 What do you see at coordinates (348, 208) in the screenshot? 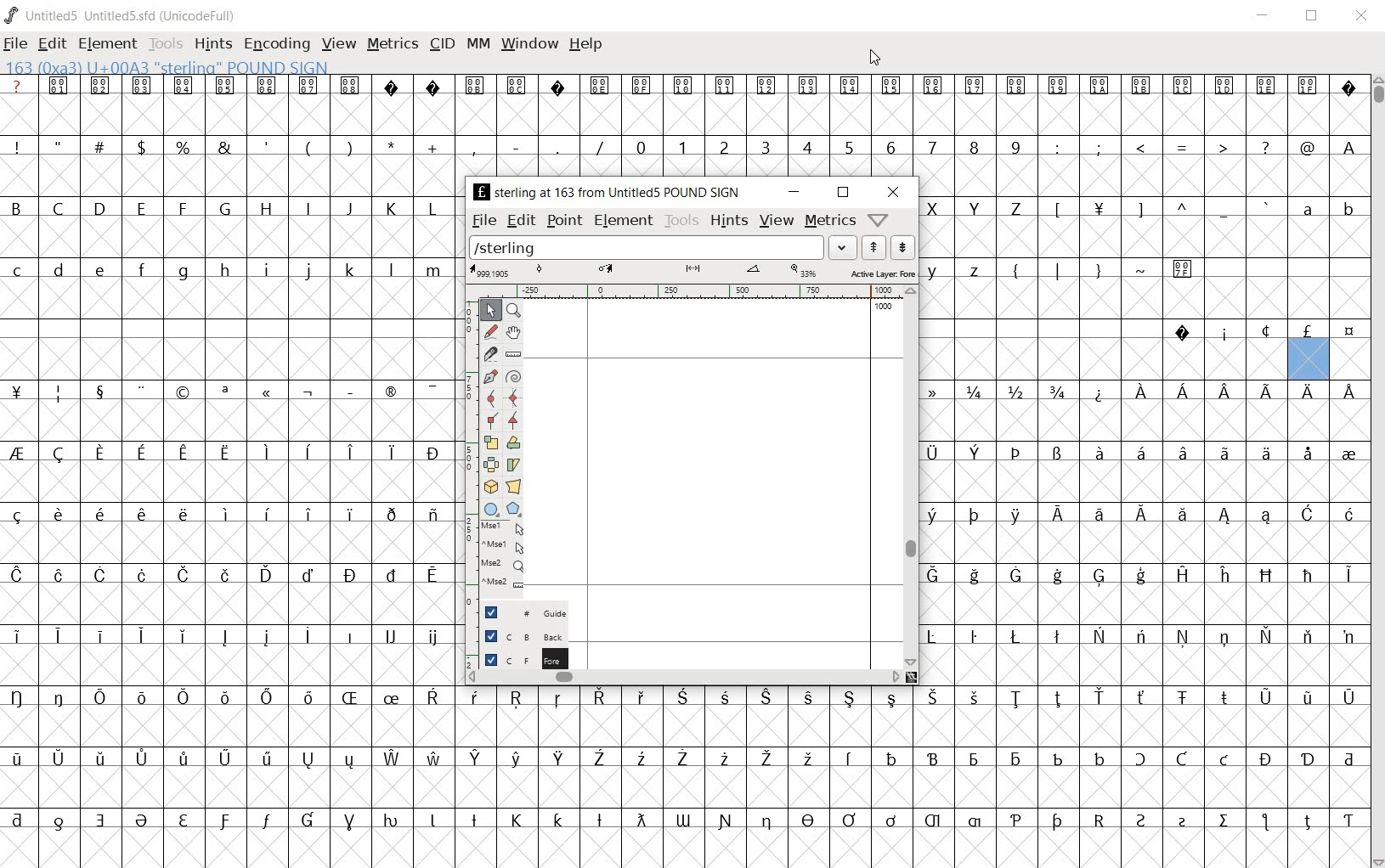
I see `J` at bounding box center [348, 208].